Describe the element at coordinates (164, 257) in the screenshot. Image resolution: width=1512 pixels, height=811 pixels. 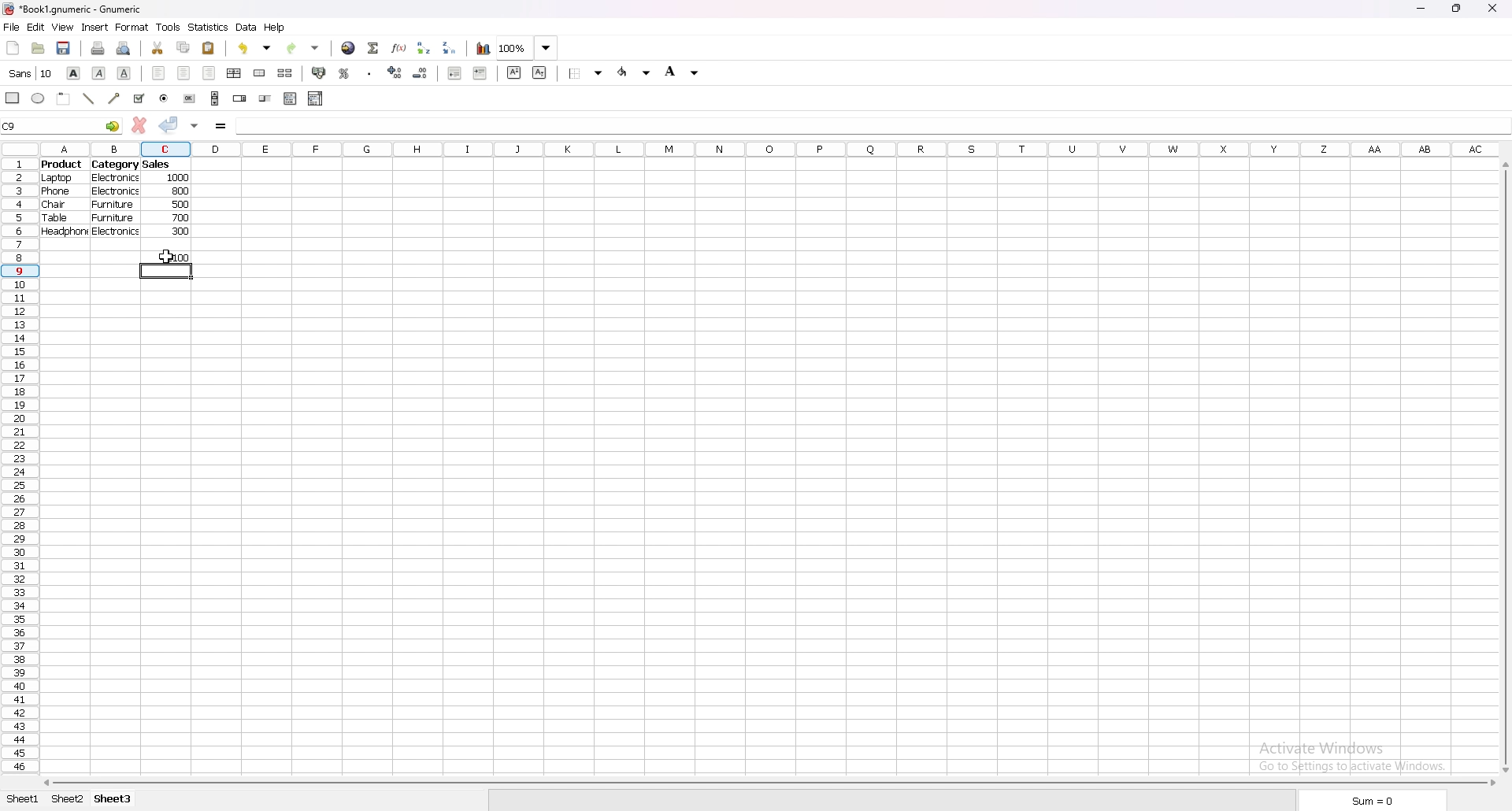
I see `cursor` at that location.